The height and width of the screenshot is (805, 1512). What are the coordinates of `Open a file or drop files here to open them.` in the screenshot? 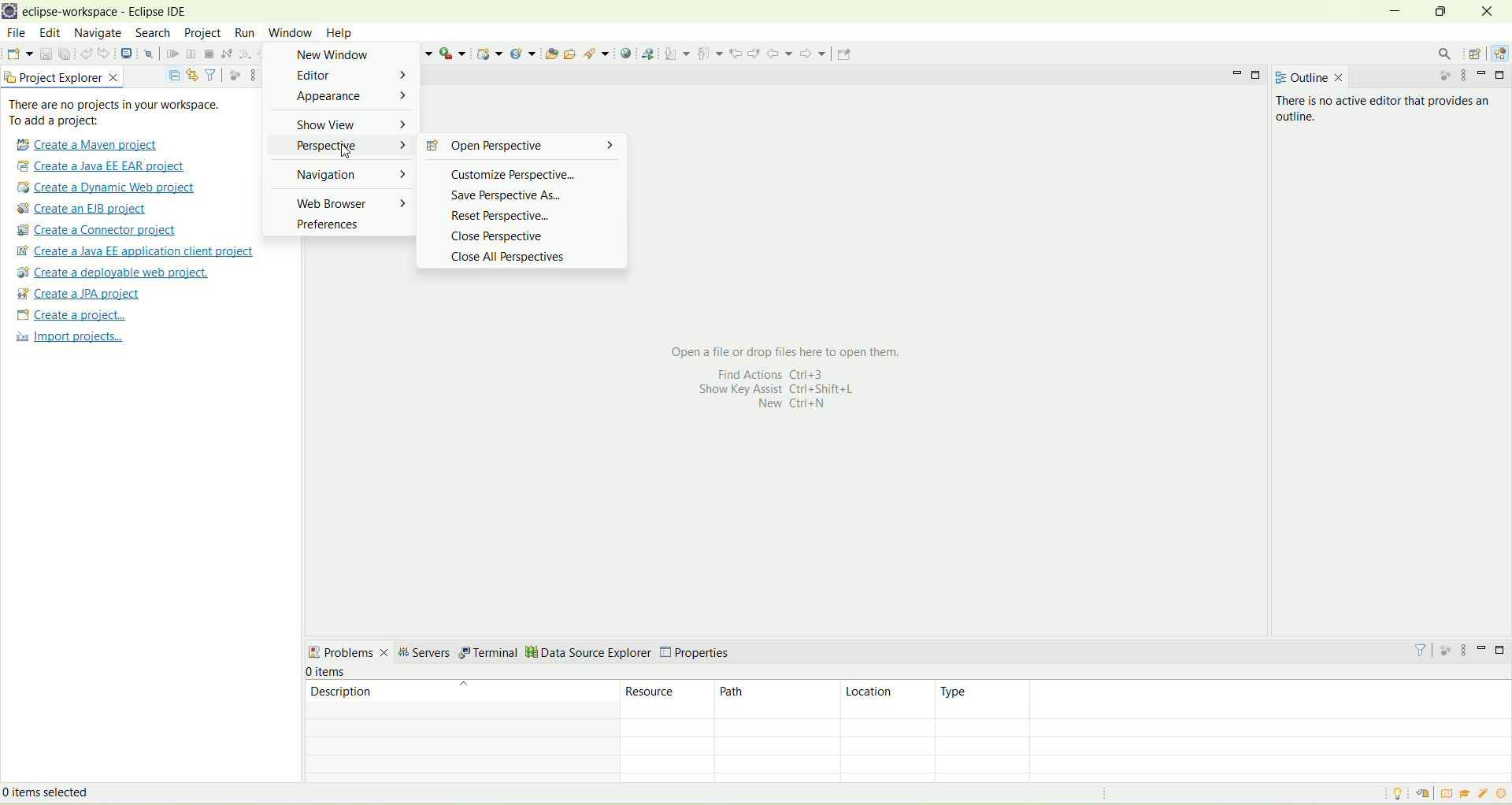 It's located at (792, 351).